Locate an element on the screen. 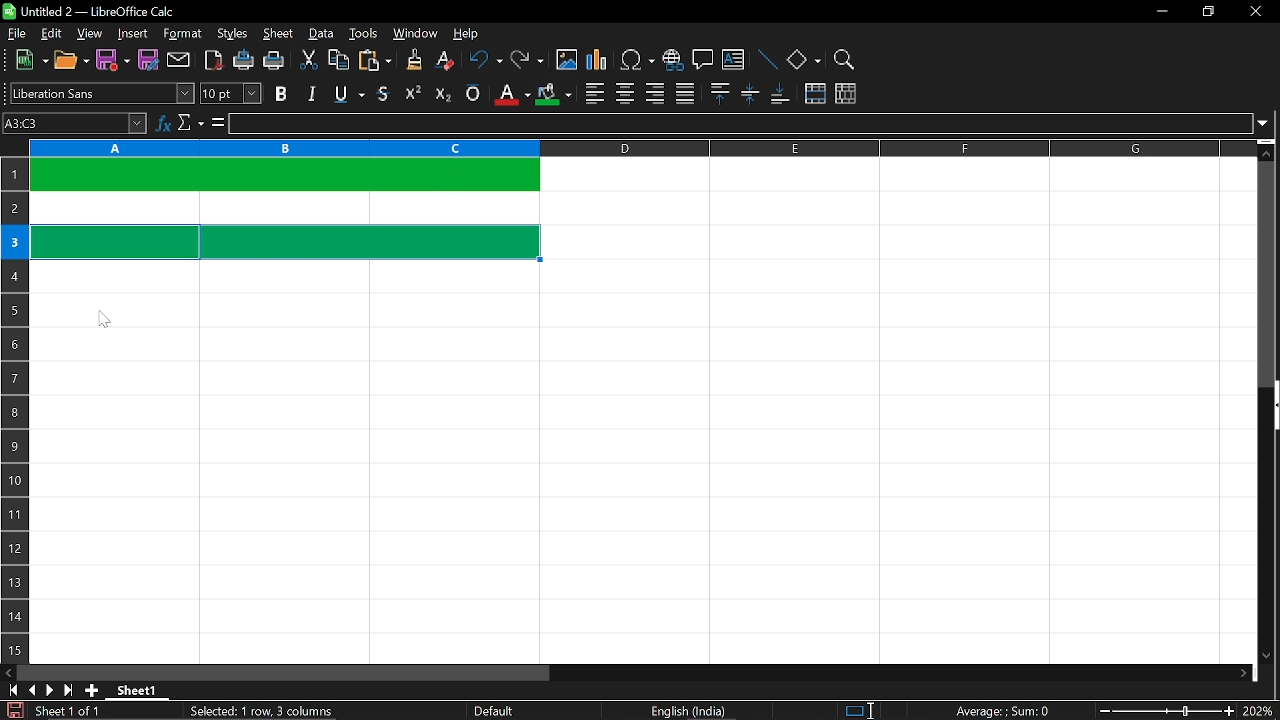  Sheet 1 is located at coordinates (137, 690).